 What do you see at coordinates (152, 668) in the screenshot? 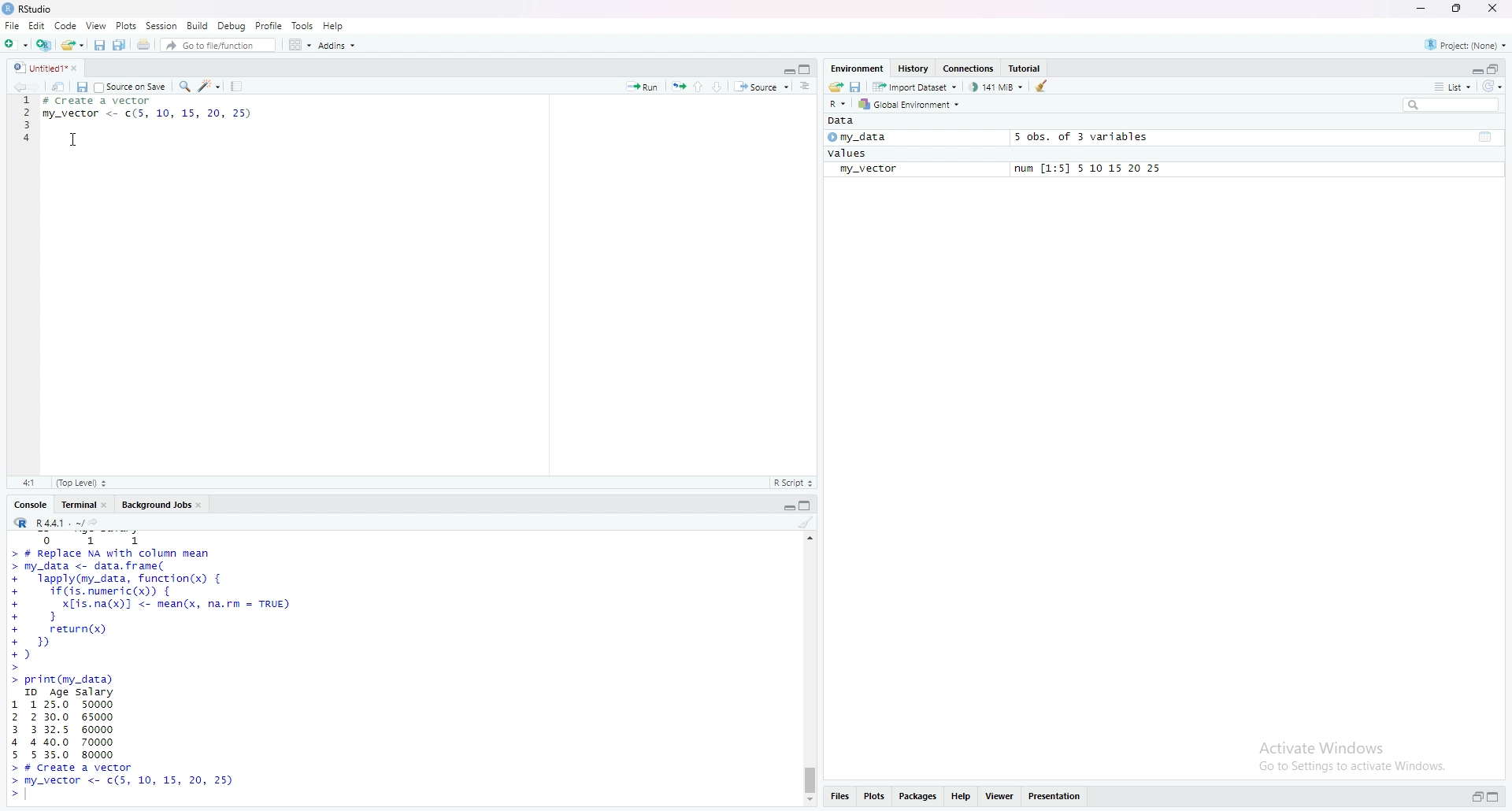
I see `data frame set` at bounding box center [152, 668].